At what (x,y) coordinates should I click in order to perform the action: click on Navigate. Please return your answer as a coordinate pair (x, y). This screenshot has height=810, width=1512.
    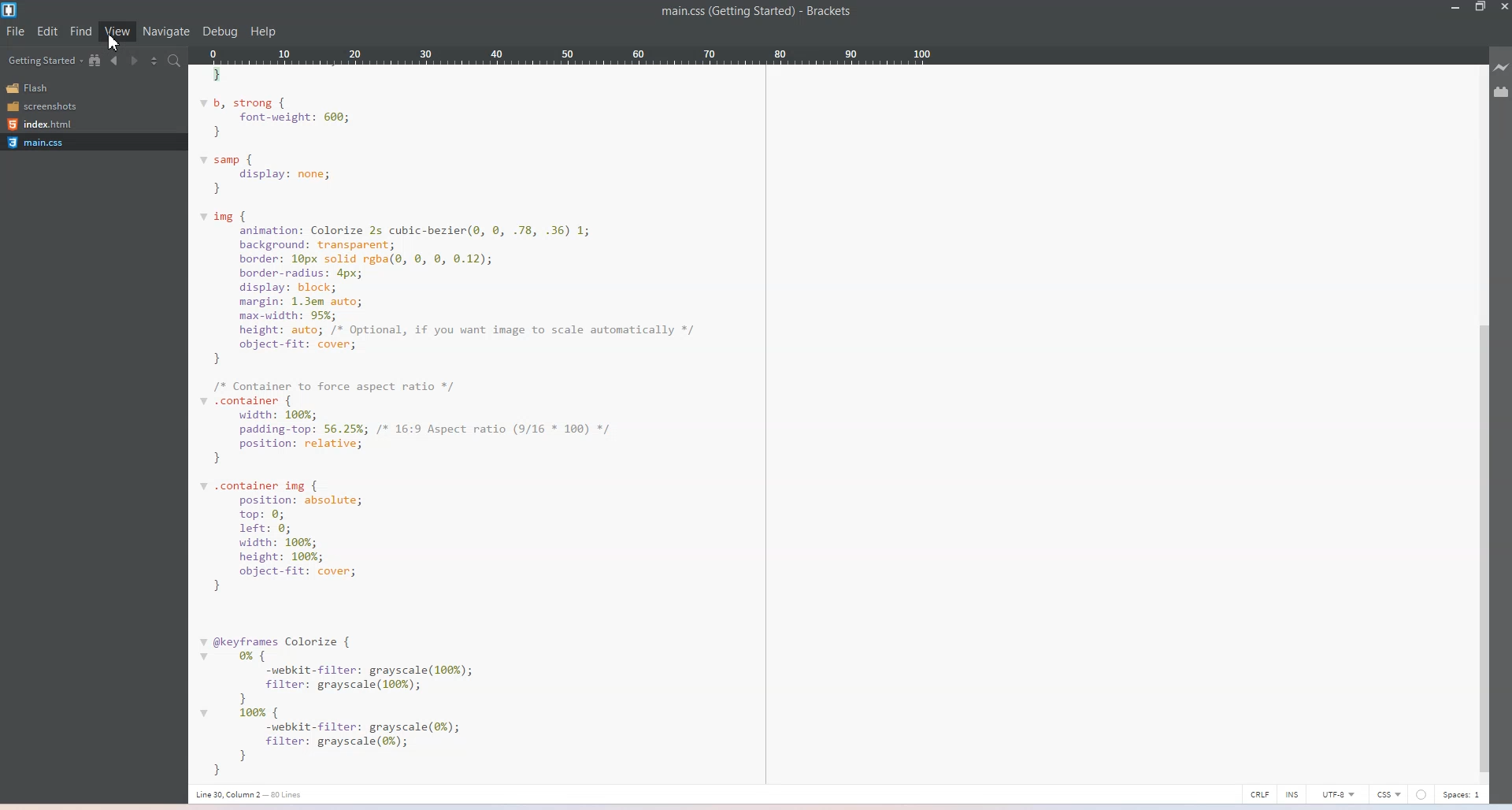
    Looking at the image, I should click on (168, 32).